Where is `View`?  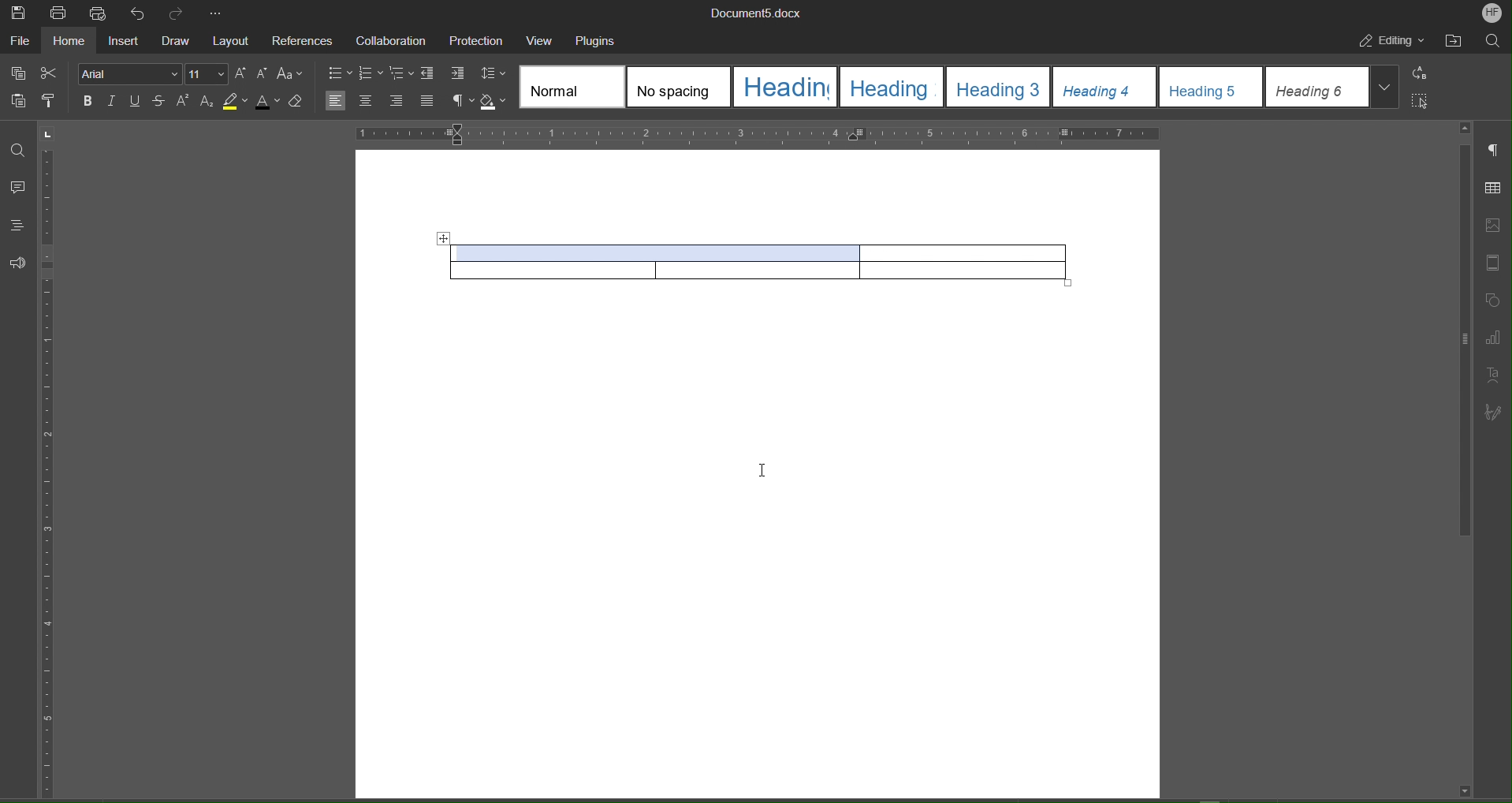 View is located at coordinates (543, 40).